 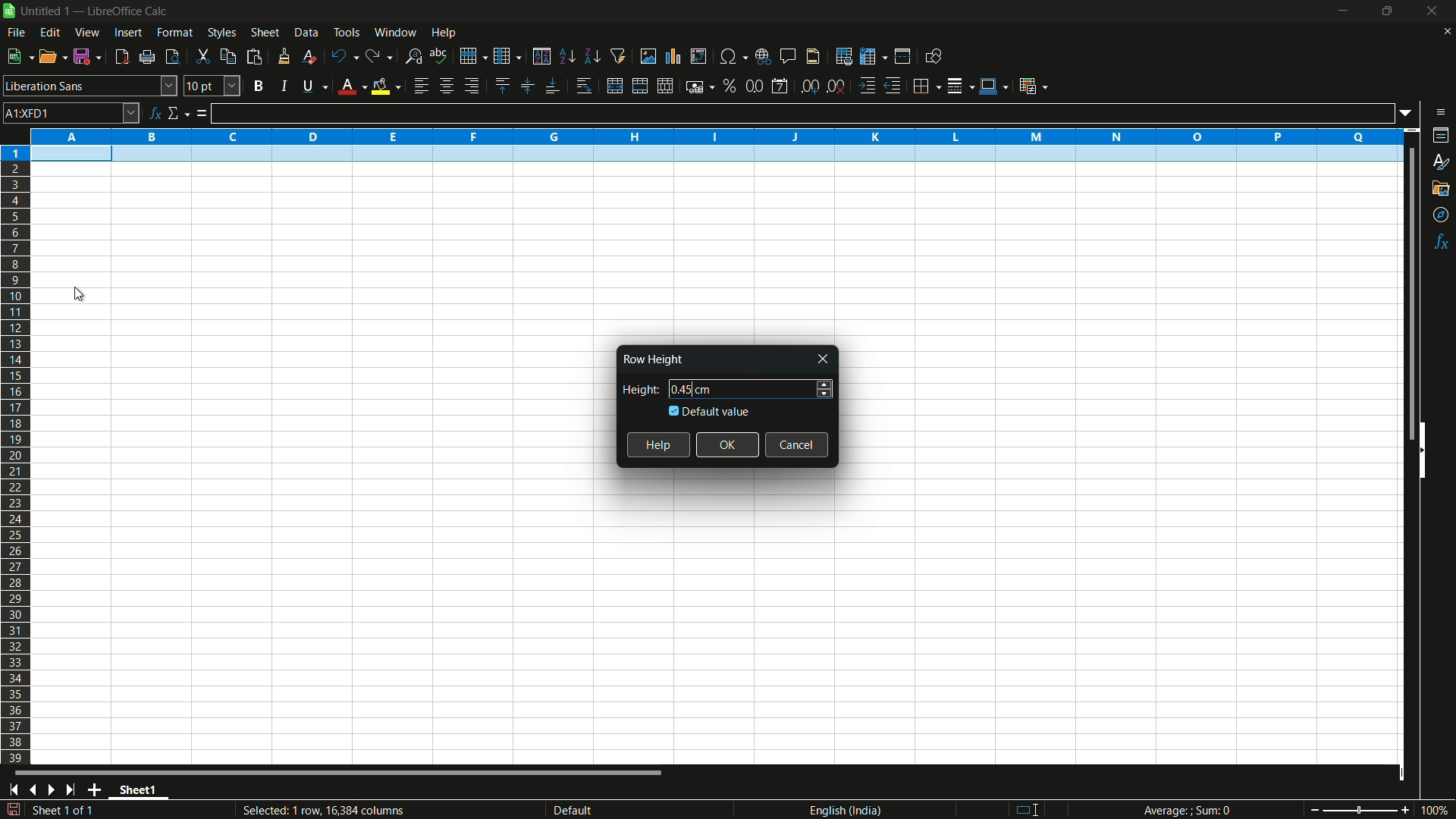 What do you see at coordinates (587, 86) in the screenshot?
I see `wrap text` at bounding box center [587, 86].